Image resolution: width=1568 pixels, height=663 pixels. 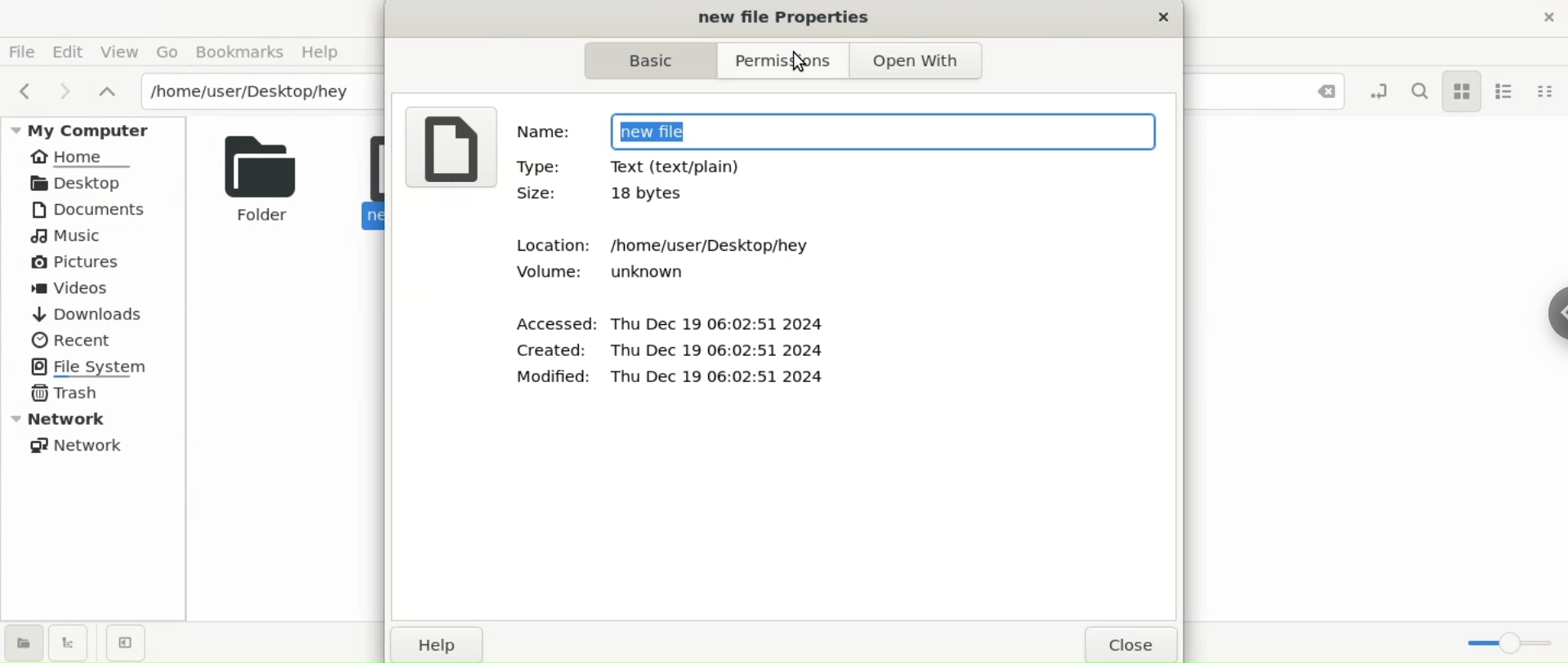 What do you see at coordinates (610, 196) in the screenshot?
I see `Size: 18 bytes` at bounding box center [610, 196].